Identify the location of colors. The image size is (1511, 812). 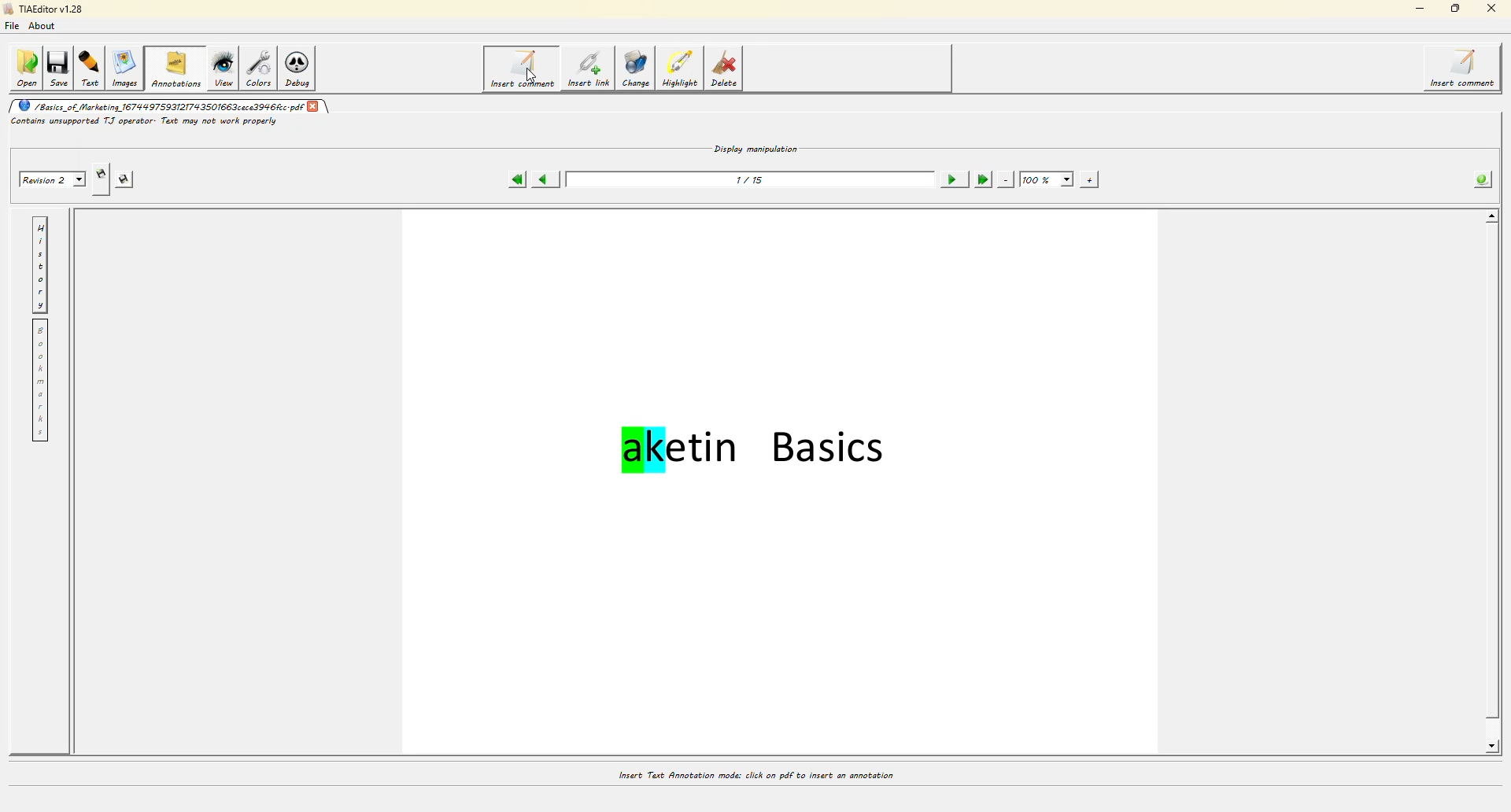
(262, 68).